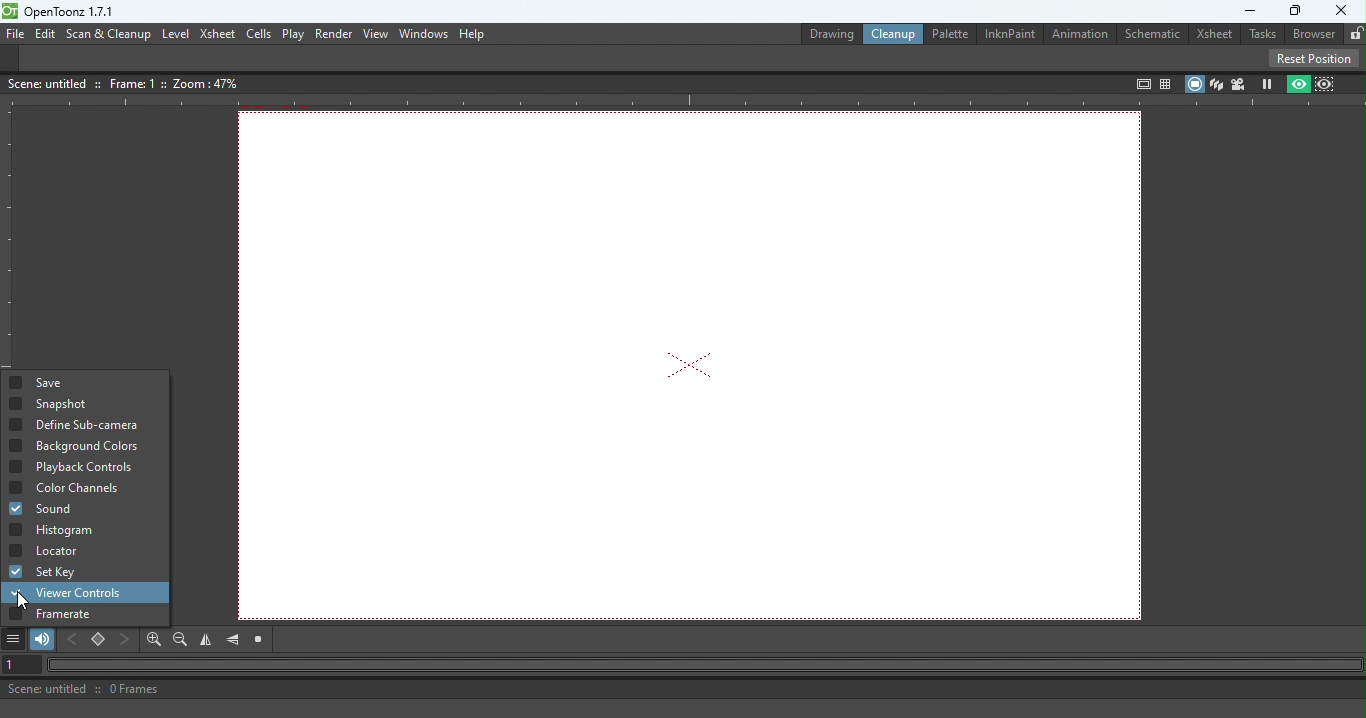 This screenshot has height=718, width=1366. Describe the element at coordinates (1261, 35) in the screenshot. I see `Tasks` at that location.